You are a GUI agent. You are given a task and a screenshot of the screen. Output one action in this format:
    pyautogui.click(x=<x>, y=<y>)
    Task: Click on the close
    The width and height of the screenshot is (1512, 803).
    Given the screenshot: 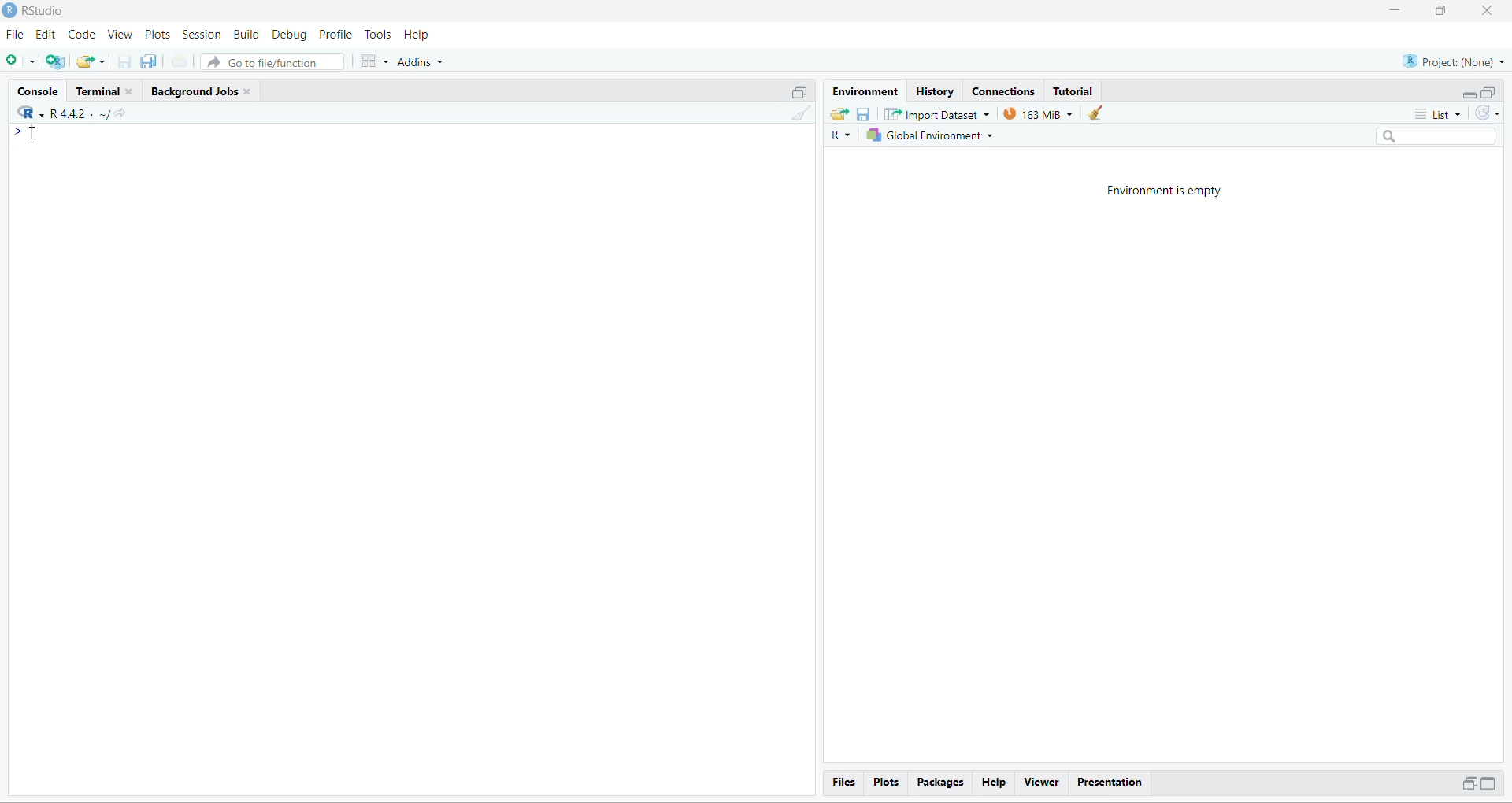 What is the action you would take?
    pyautogui.click(x=1485, y=10)
    